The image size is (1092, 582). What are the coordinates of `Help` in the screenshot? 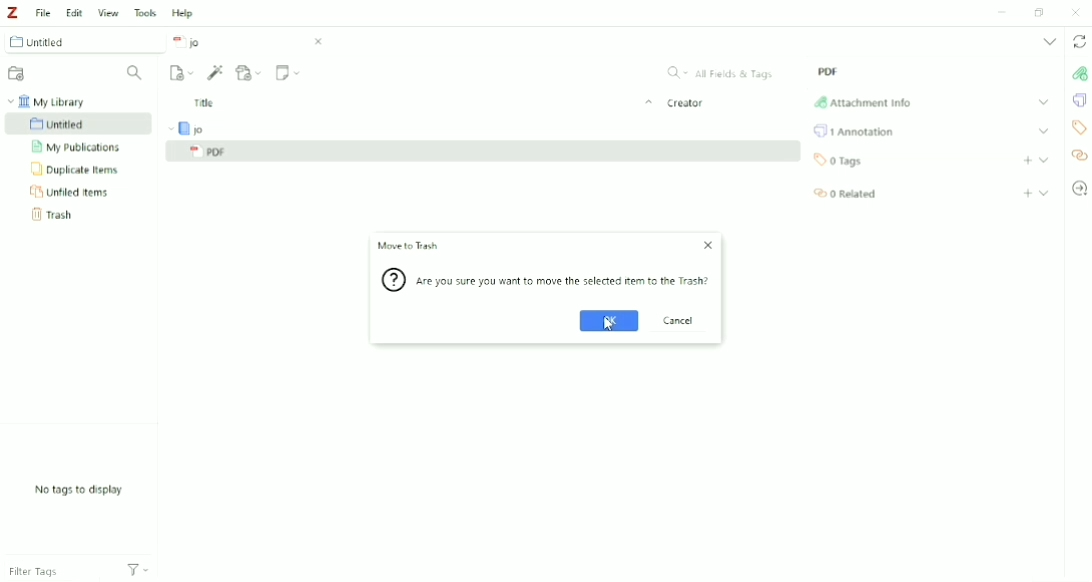 It's located at (185, 13).